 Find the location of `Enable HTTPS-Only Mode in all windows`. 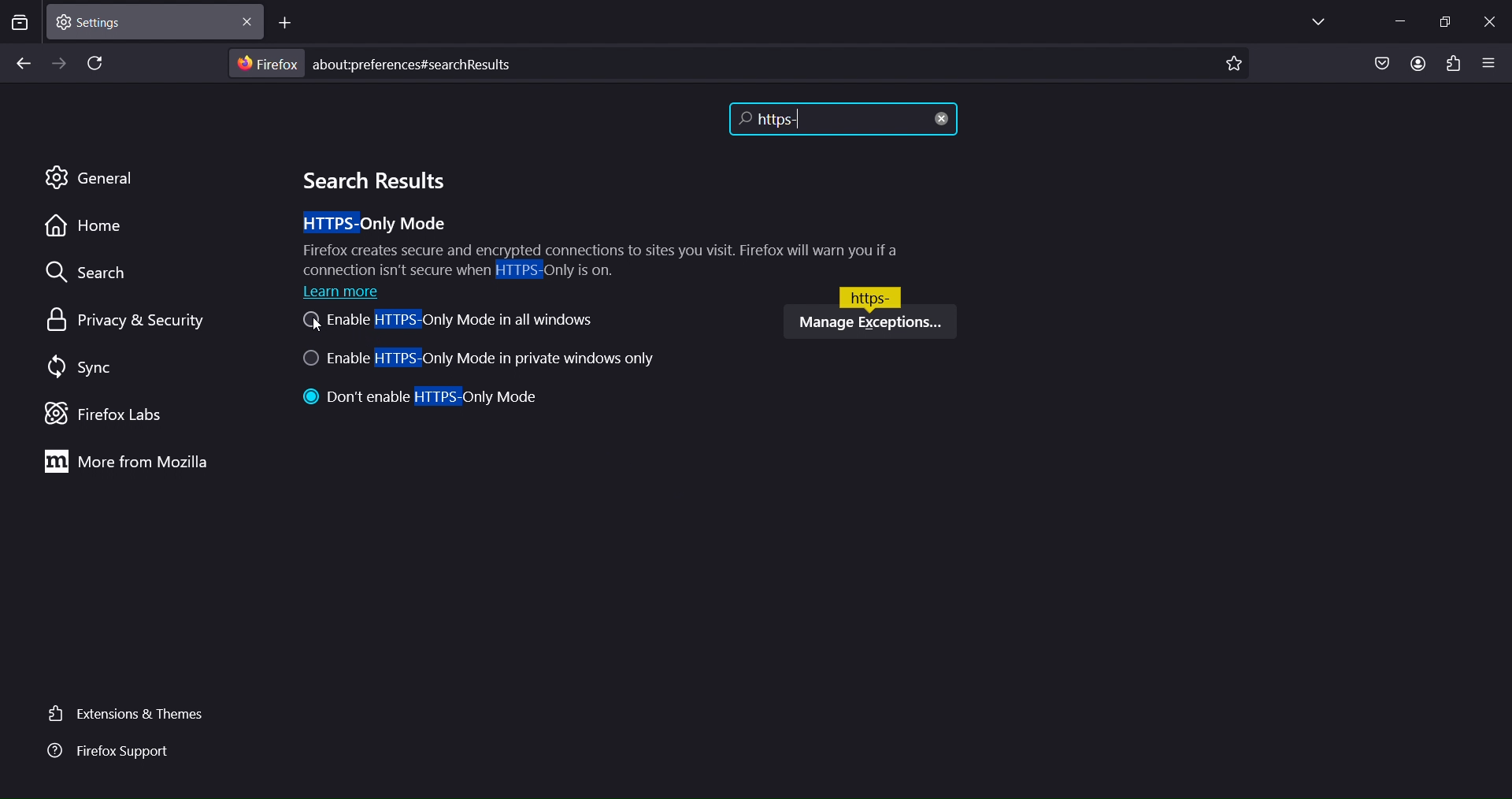

Enable HTTPS-Only Mode in all windows is located at coordinates (447, 323).